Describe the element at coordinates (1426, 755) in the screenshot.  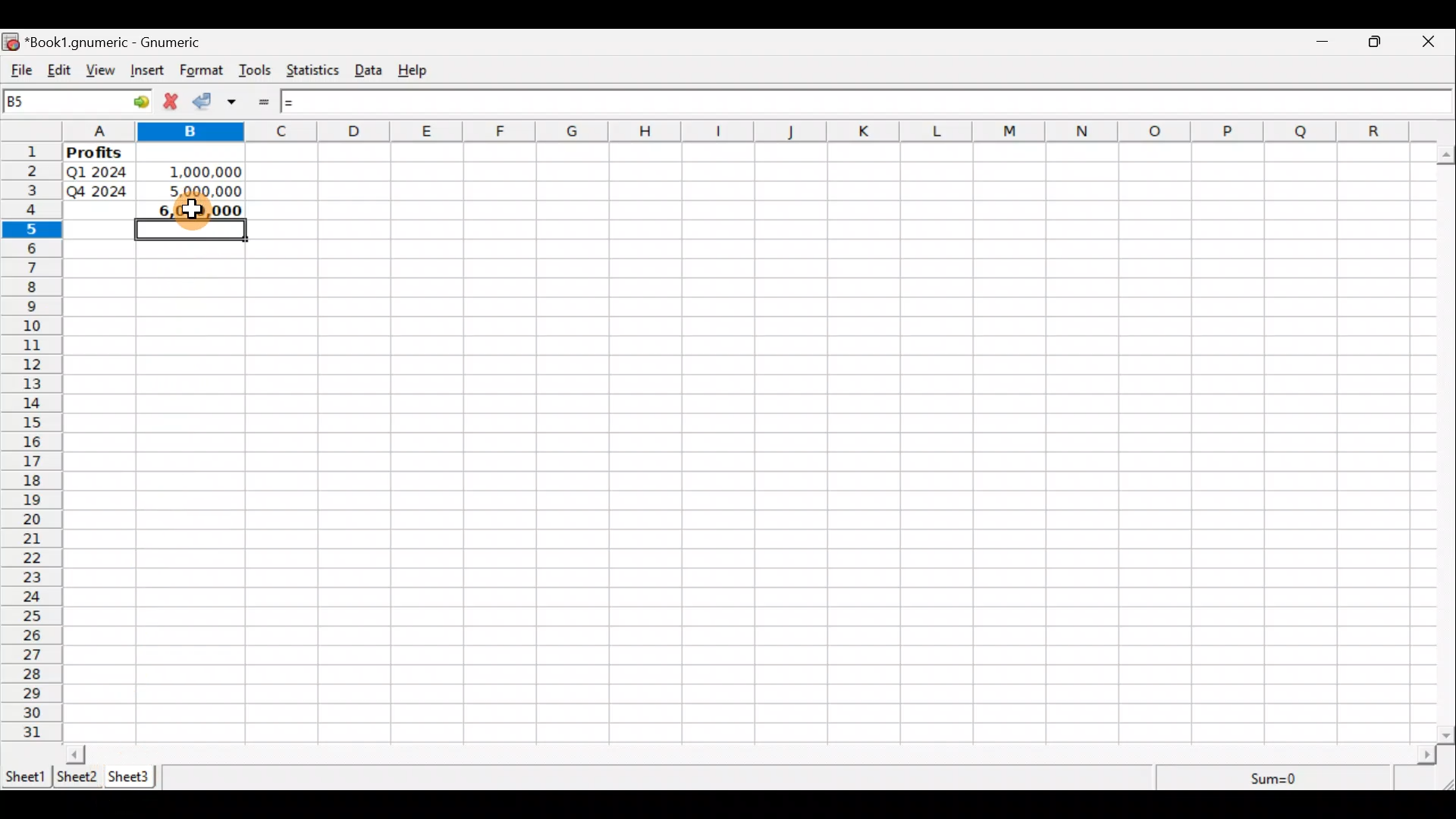
I see `scroll right` at that location.